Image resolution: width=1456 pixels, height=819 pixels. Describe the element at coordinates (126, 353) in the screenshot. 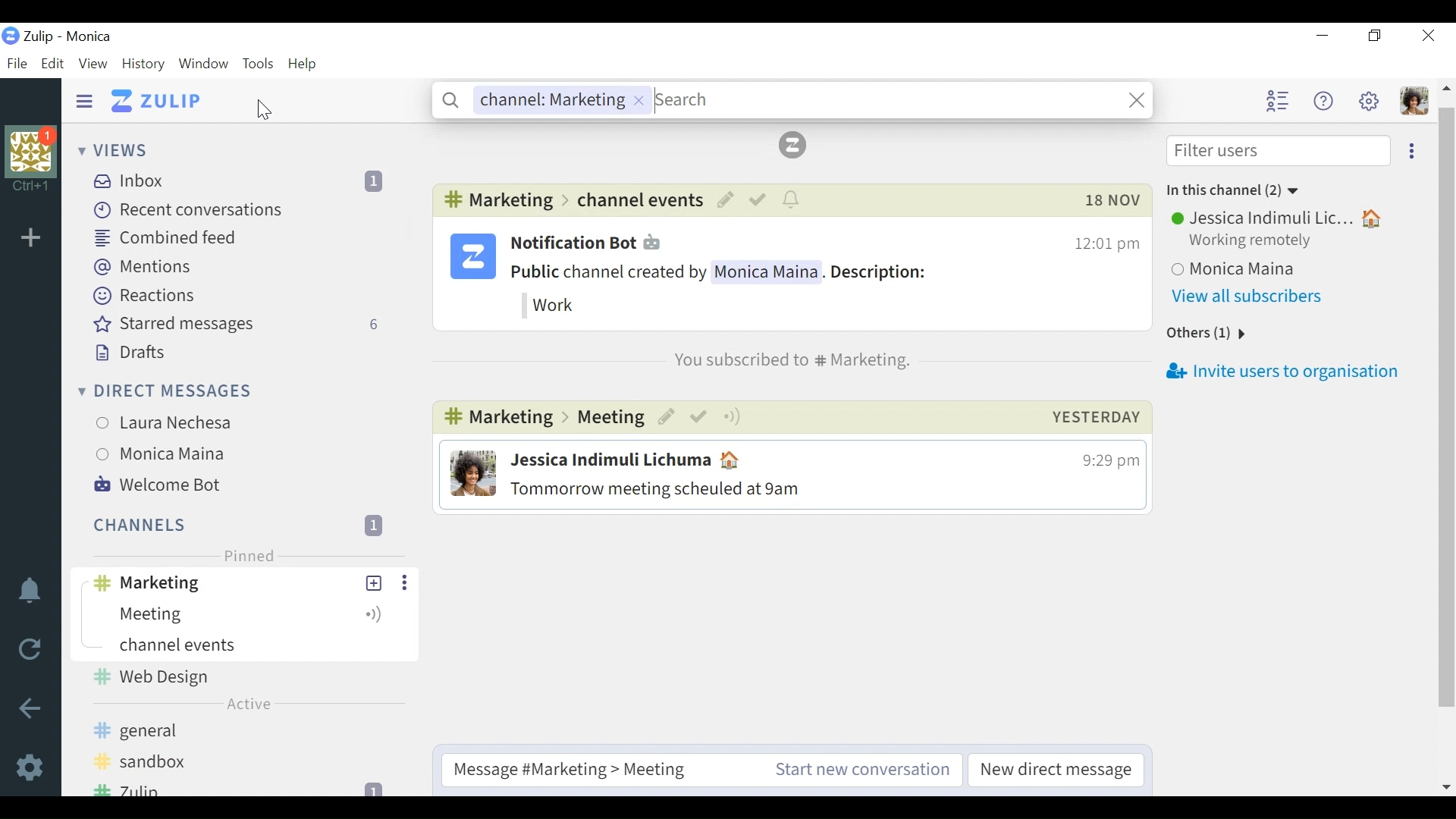

I see `Drafts` at that location.